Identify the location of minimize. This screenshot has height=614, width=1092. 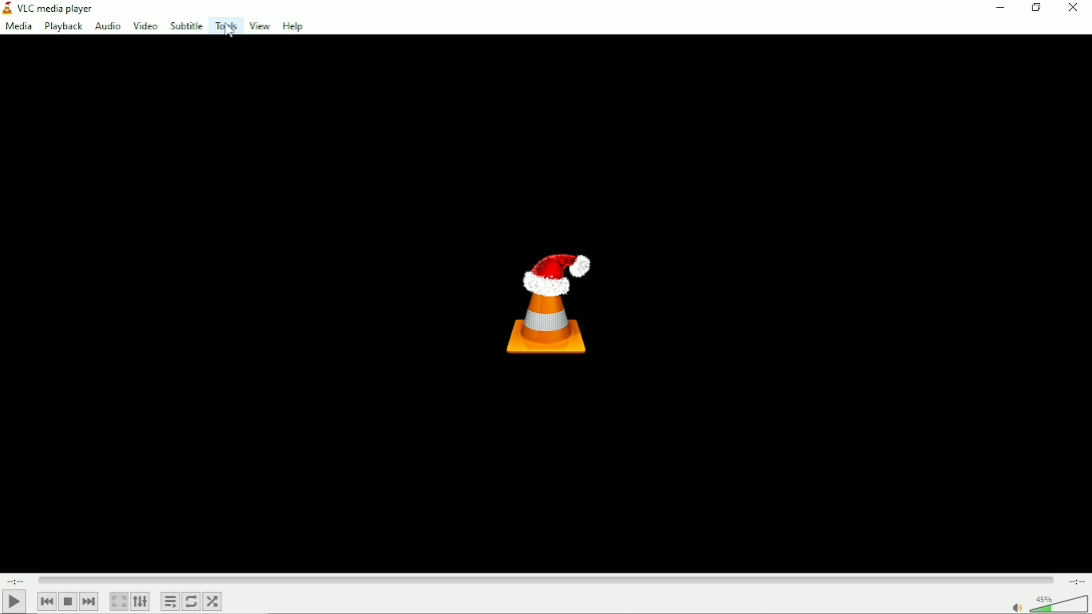
(999, 8).